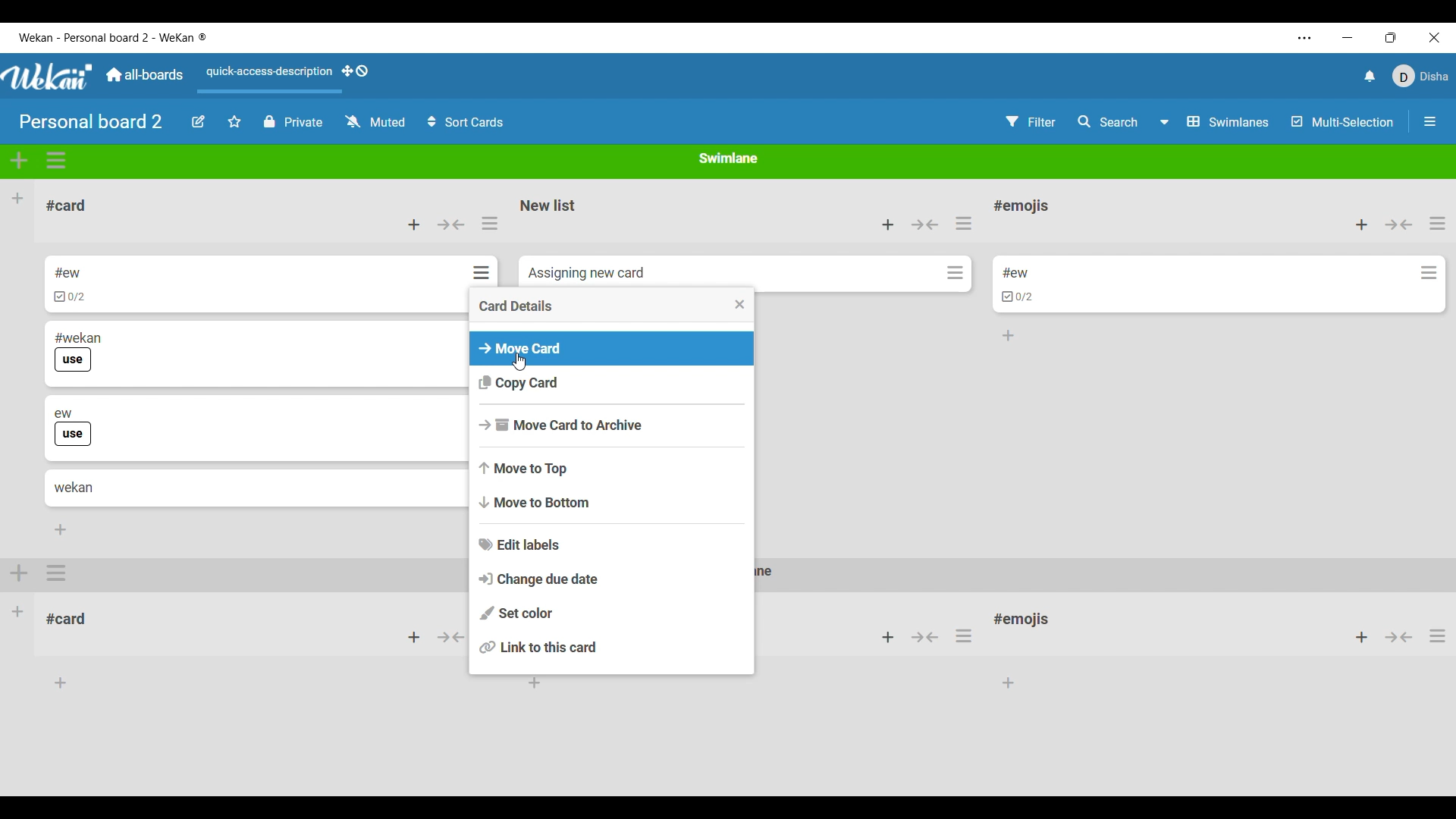 The image size is (1456, 819). What do you see at coordinates (740, 304) in the screenshot?
I see `Close menu` at bounding box center [740, 304].